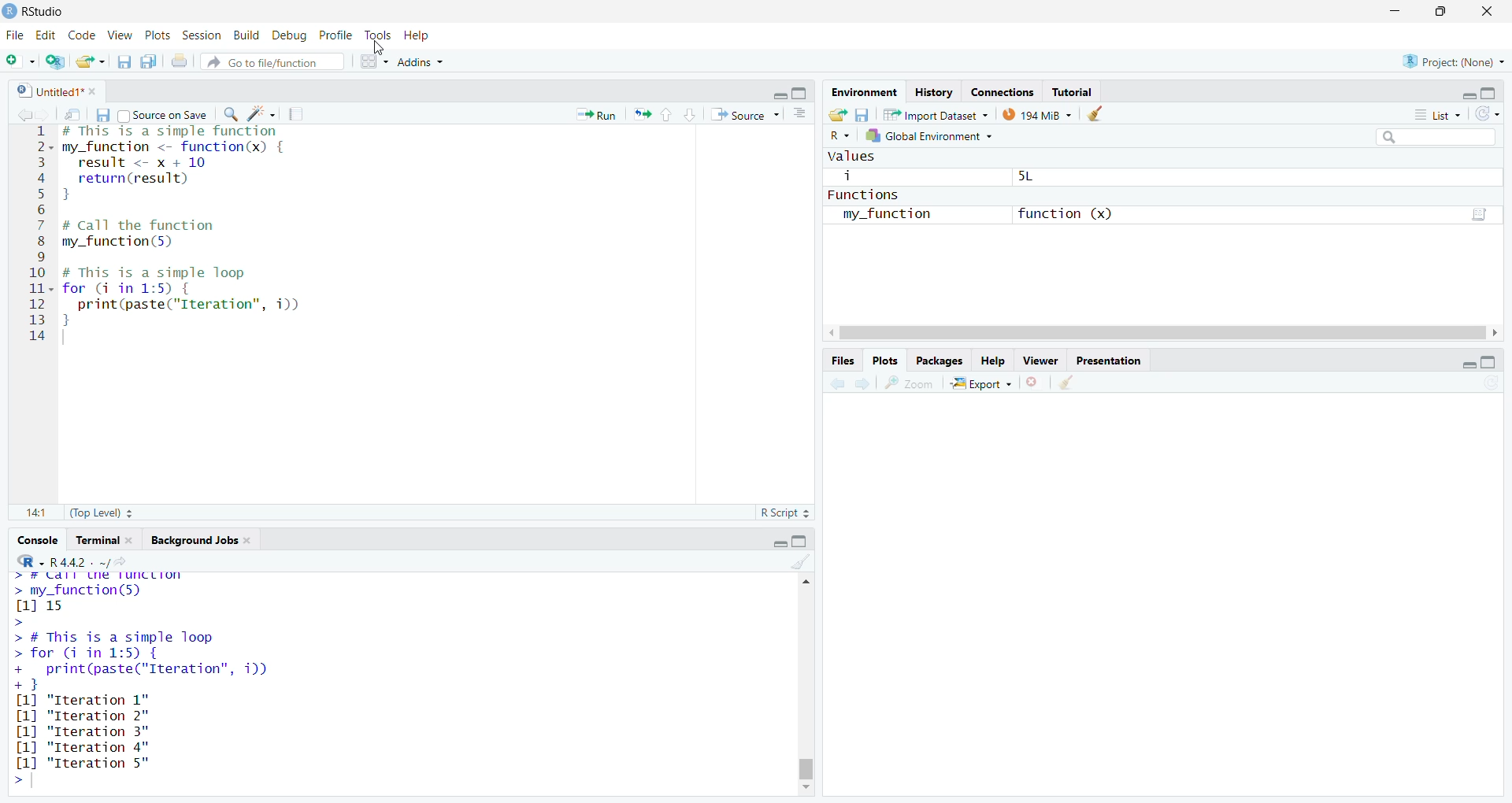  Describe the element at coordinates (691, 114) in the screenshot. I see `go to next section/chunk` at that location.